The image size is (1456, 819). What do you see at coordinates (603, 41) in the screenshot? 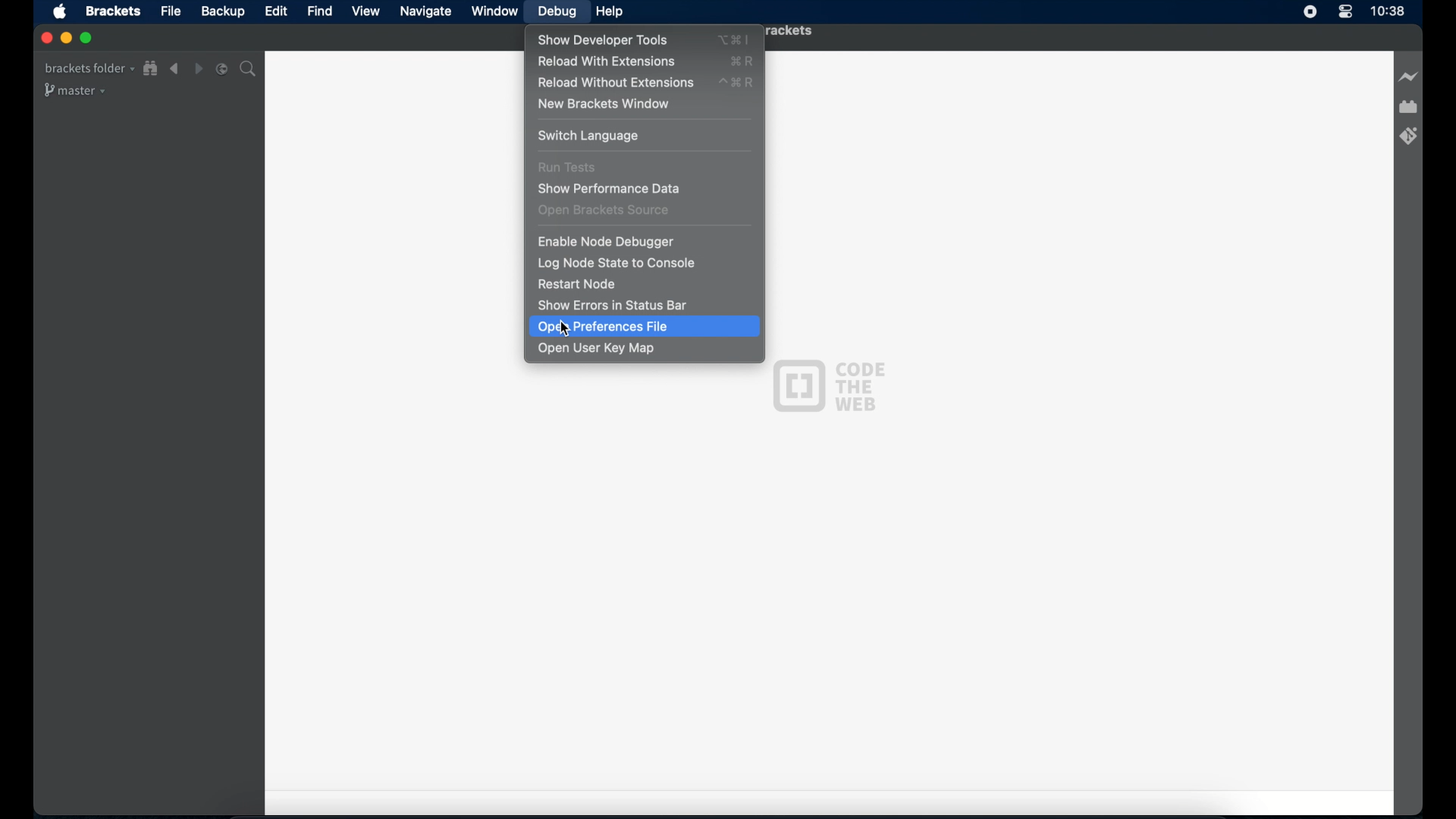
I see `show  developer tools` at bounding box center [603, 41].